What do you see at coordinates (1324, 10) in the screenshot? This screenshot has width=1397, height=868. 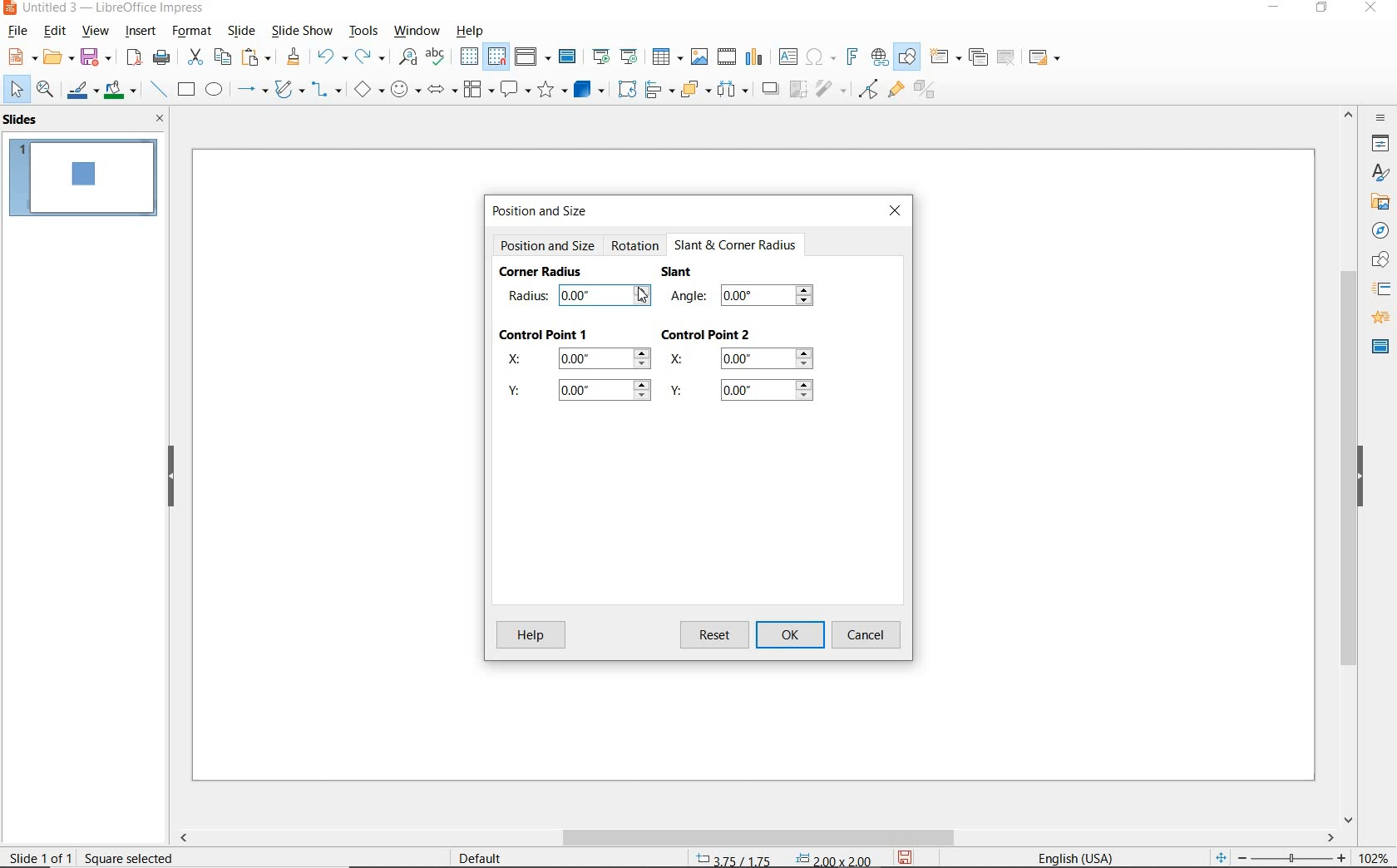 I see `restore down` at bounding box center [1324, 10].